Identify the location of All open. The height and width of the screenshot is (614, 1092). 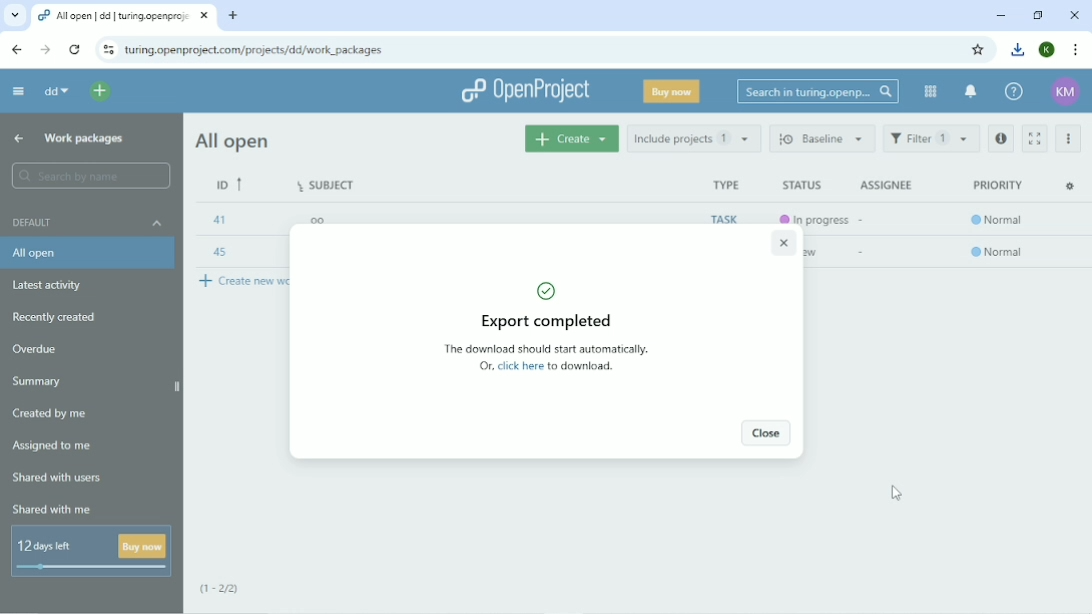
(235, 141).